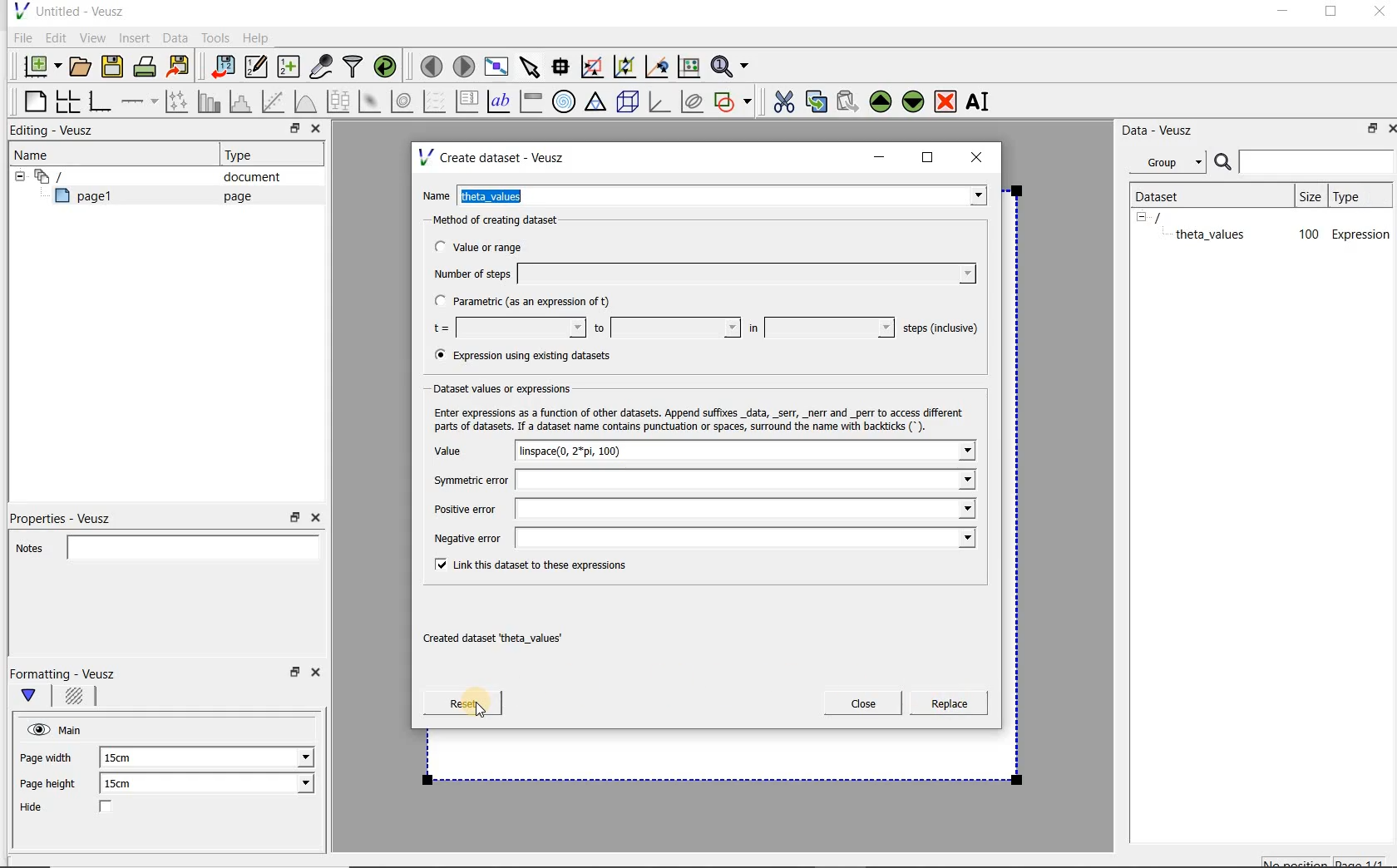 Image resolution: width=1397 pixels, height=868 pixels. What do you see at coordinates (531, 101) in the screenshot?
I see `image color bar` at bounding box center [531, 101].